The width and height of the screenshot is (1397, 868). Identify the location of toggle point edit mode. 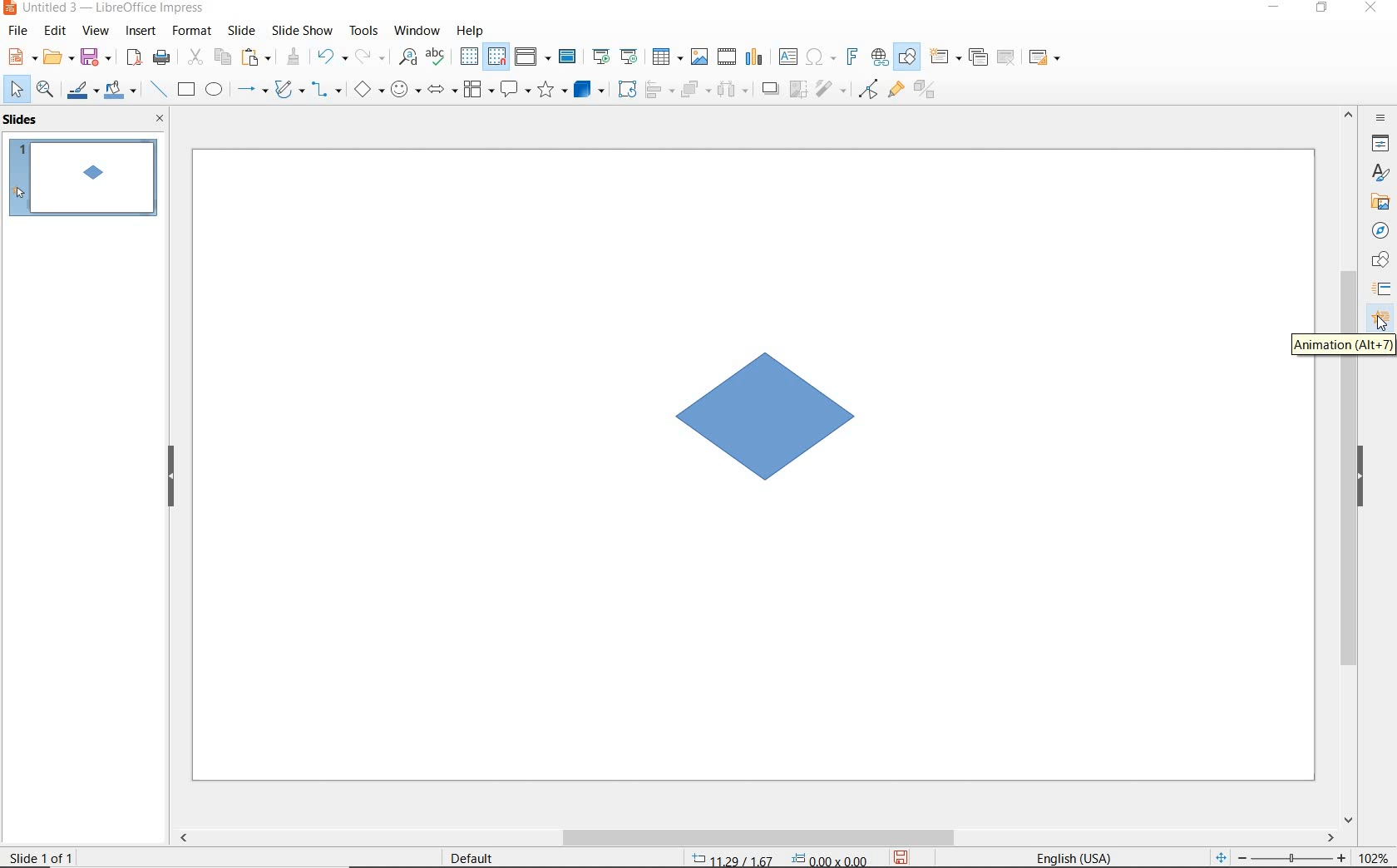
(868, 90).